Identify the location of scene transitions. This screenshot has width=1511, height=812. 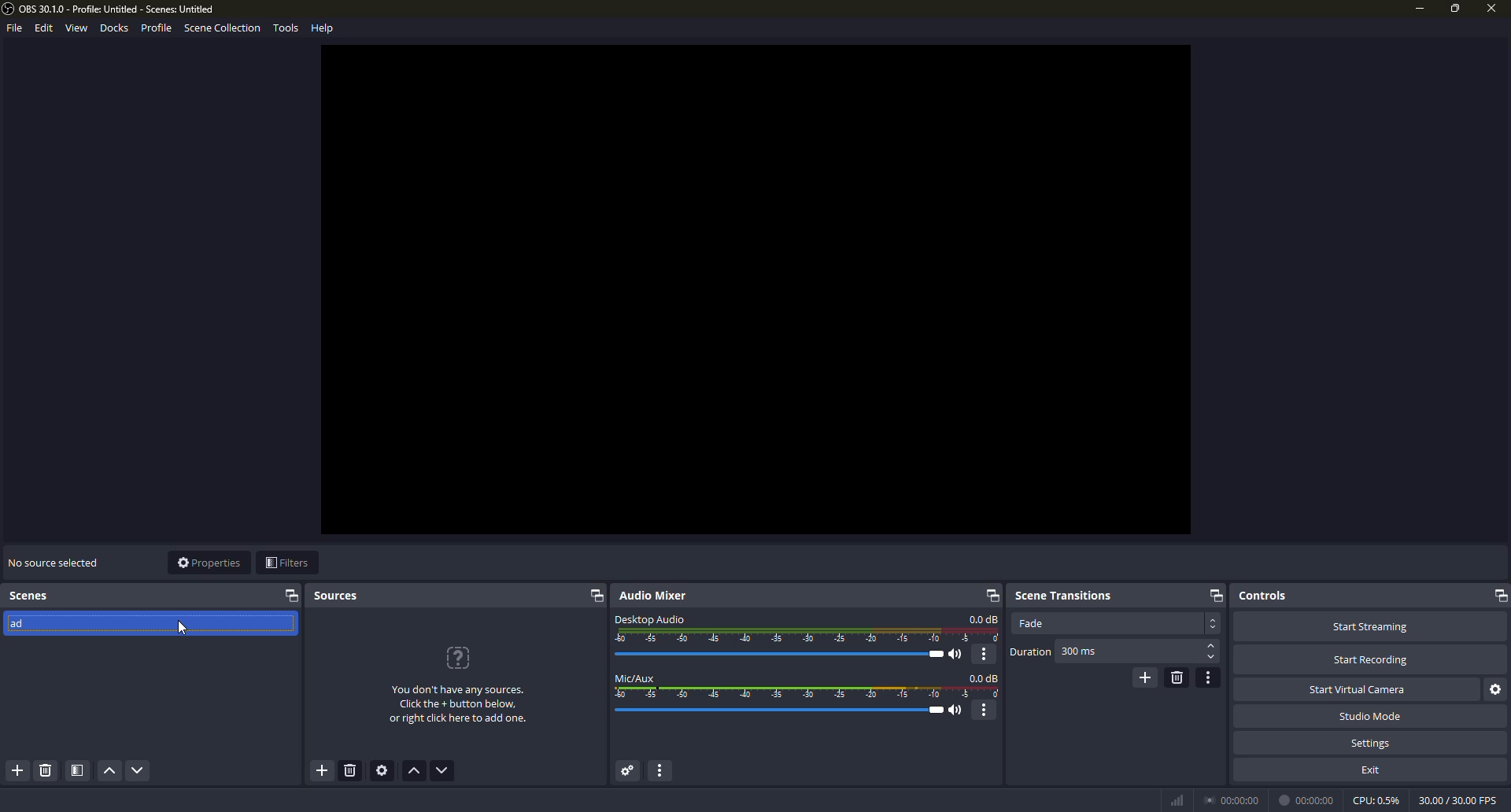
(1063, 593).